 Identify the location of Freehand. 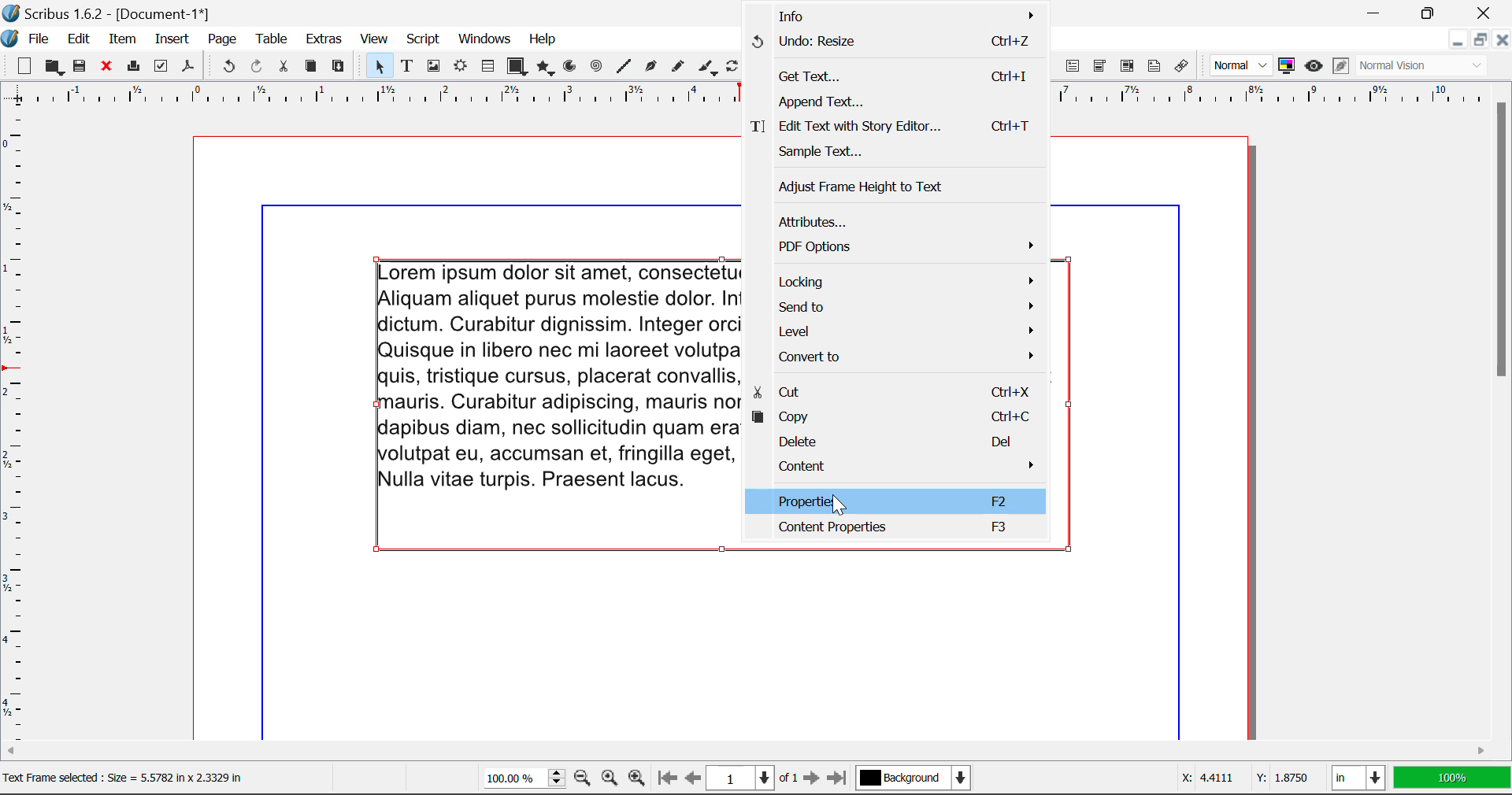
(679, 70).